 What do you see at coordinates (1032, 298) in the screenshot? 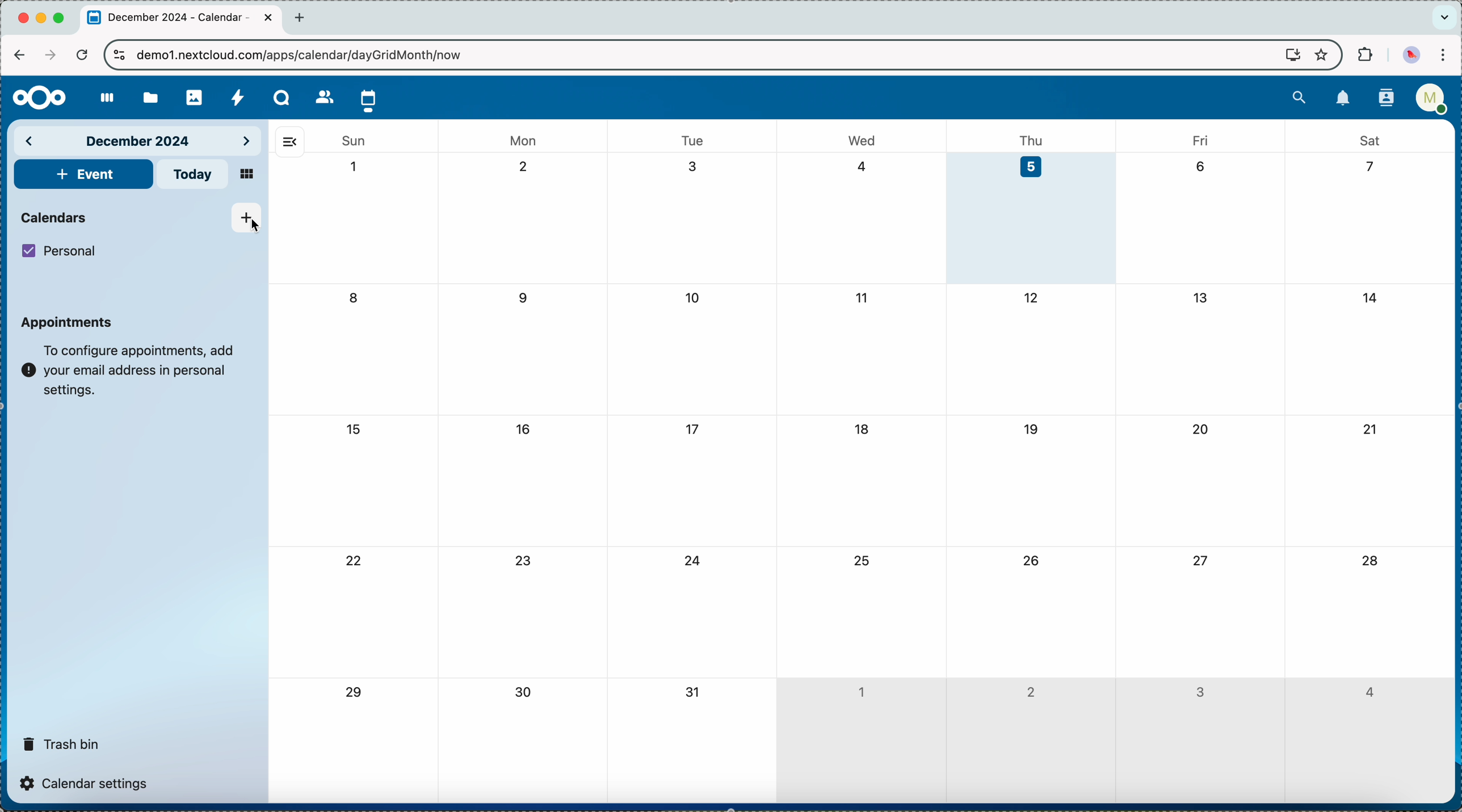
I see `12` at bounding box center [1032, 298].